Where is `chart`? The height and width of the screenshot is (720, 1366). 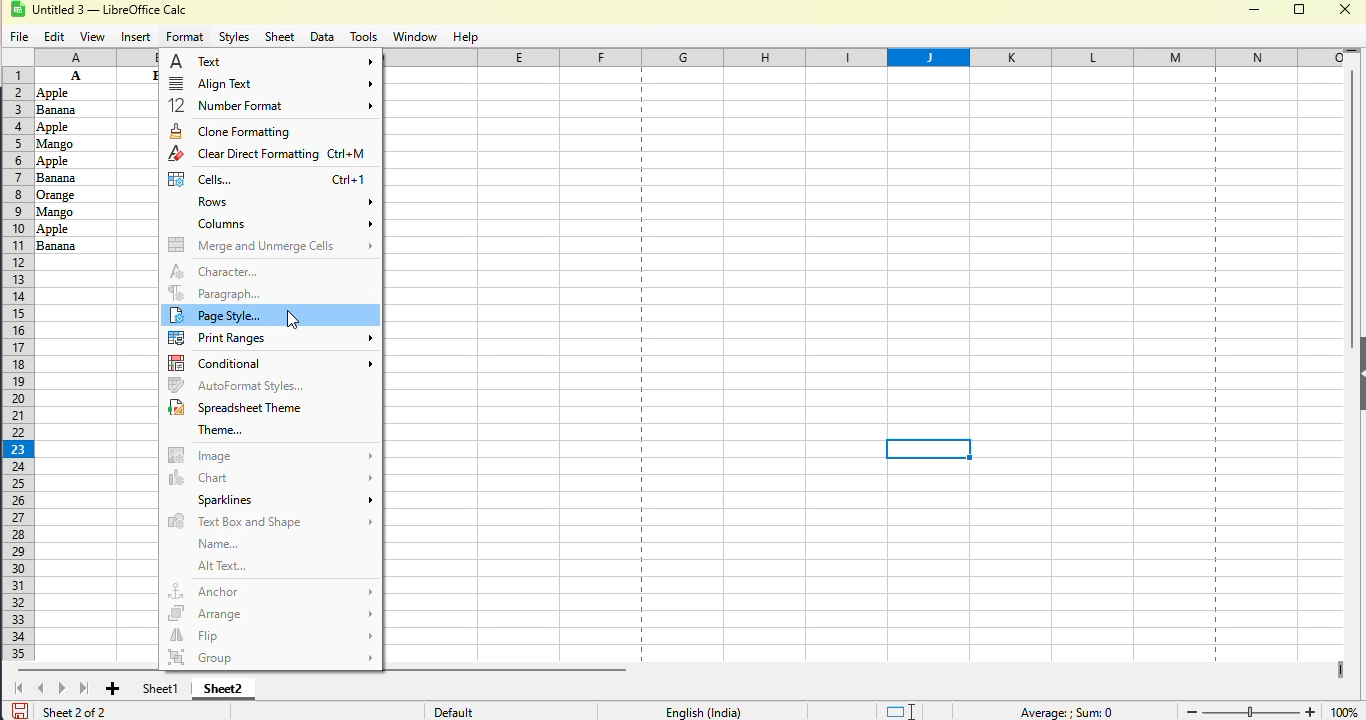
chart is located at coordinates (271, 478).